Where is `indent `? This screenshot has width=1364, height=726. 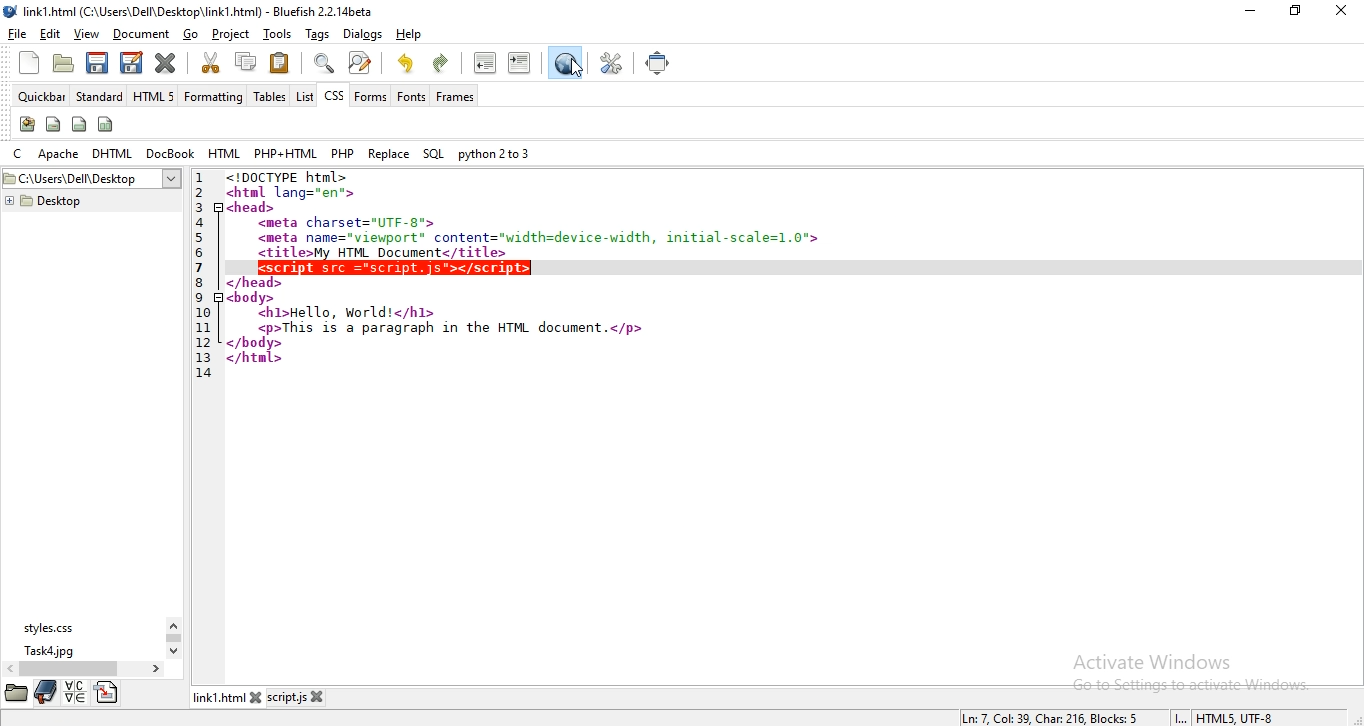
indent  is located at coordinates (519, 63).